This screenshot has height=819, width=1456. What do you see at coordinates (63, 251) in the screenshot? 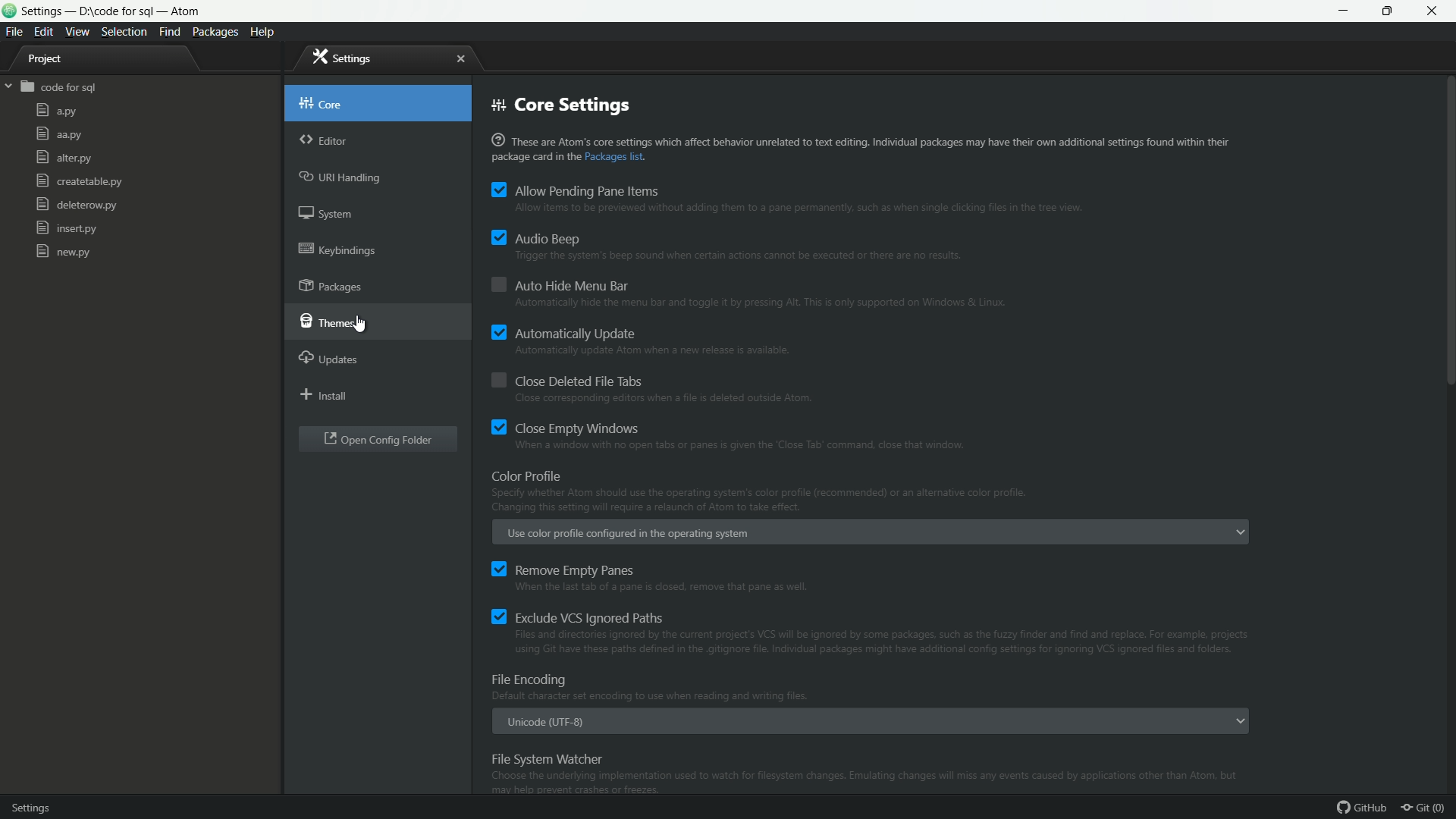
I see `new.py file` at bounding box center [63, 251].